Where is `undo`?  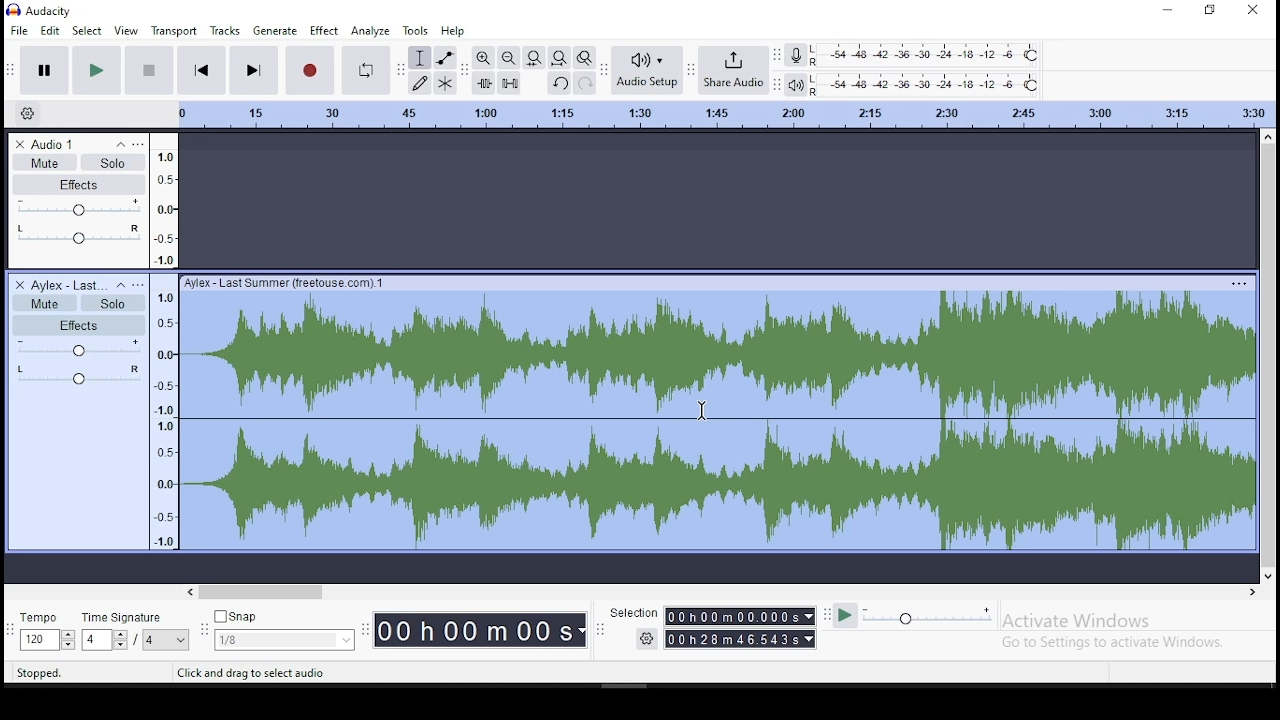 undo is located at coordinates (559, 83).